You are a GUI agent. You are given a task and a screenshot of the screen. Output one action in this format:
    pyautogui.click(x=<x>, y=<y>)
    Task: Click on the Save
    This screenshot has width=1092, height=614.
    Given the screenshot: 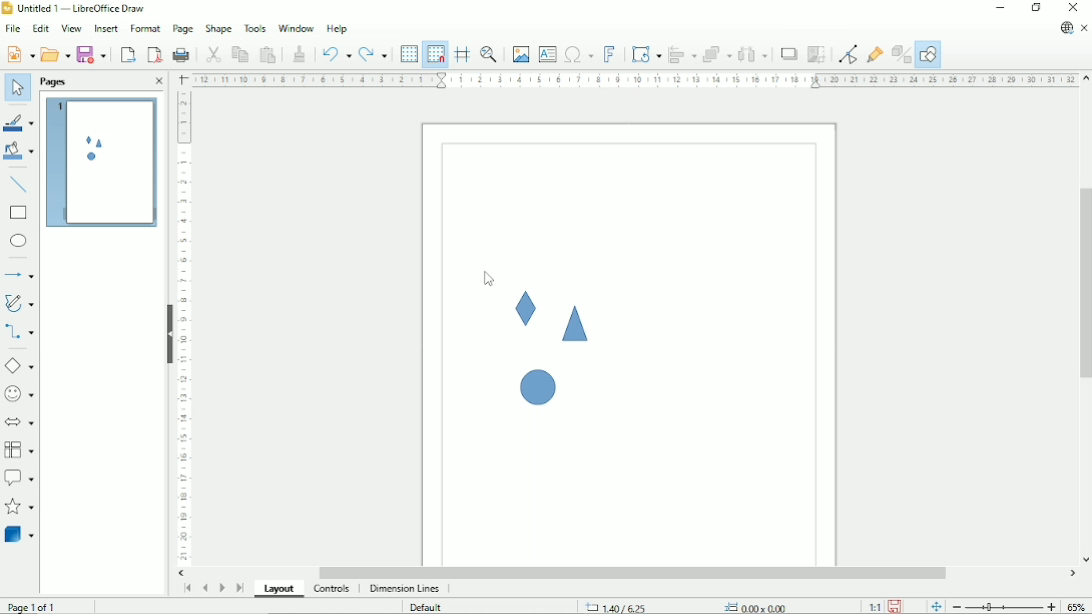 What is the action you would take?
    pyautogui.click(x=896, y=606)
    